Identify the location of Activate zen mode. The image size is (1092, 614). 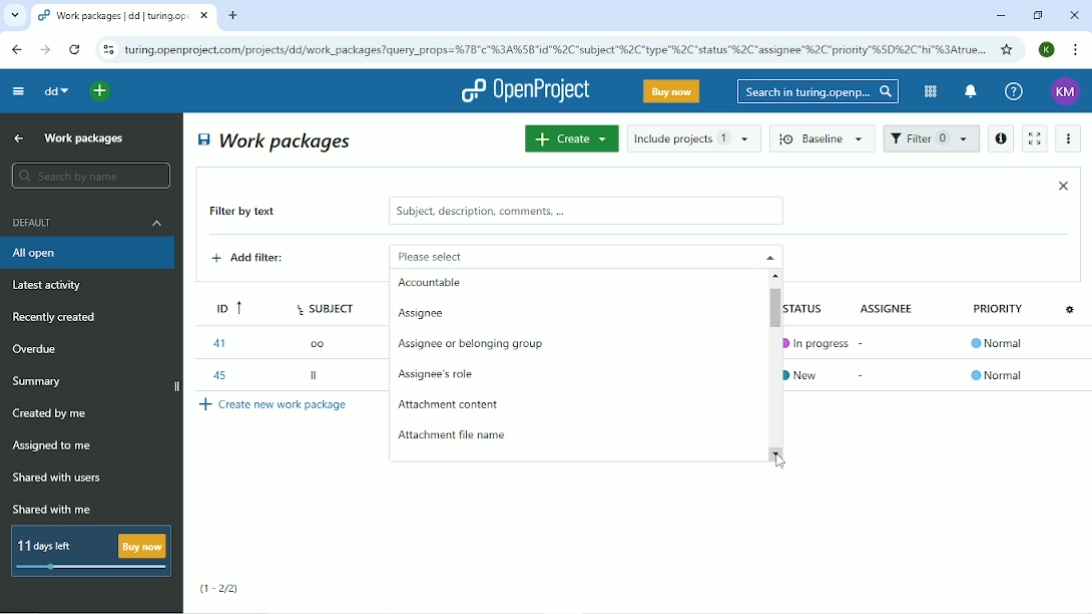
(1033, 138).